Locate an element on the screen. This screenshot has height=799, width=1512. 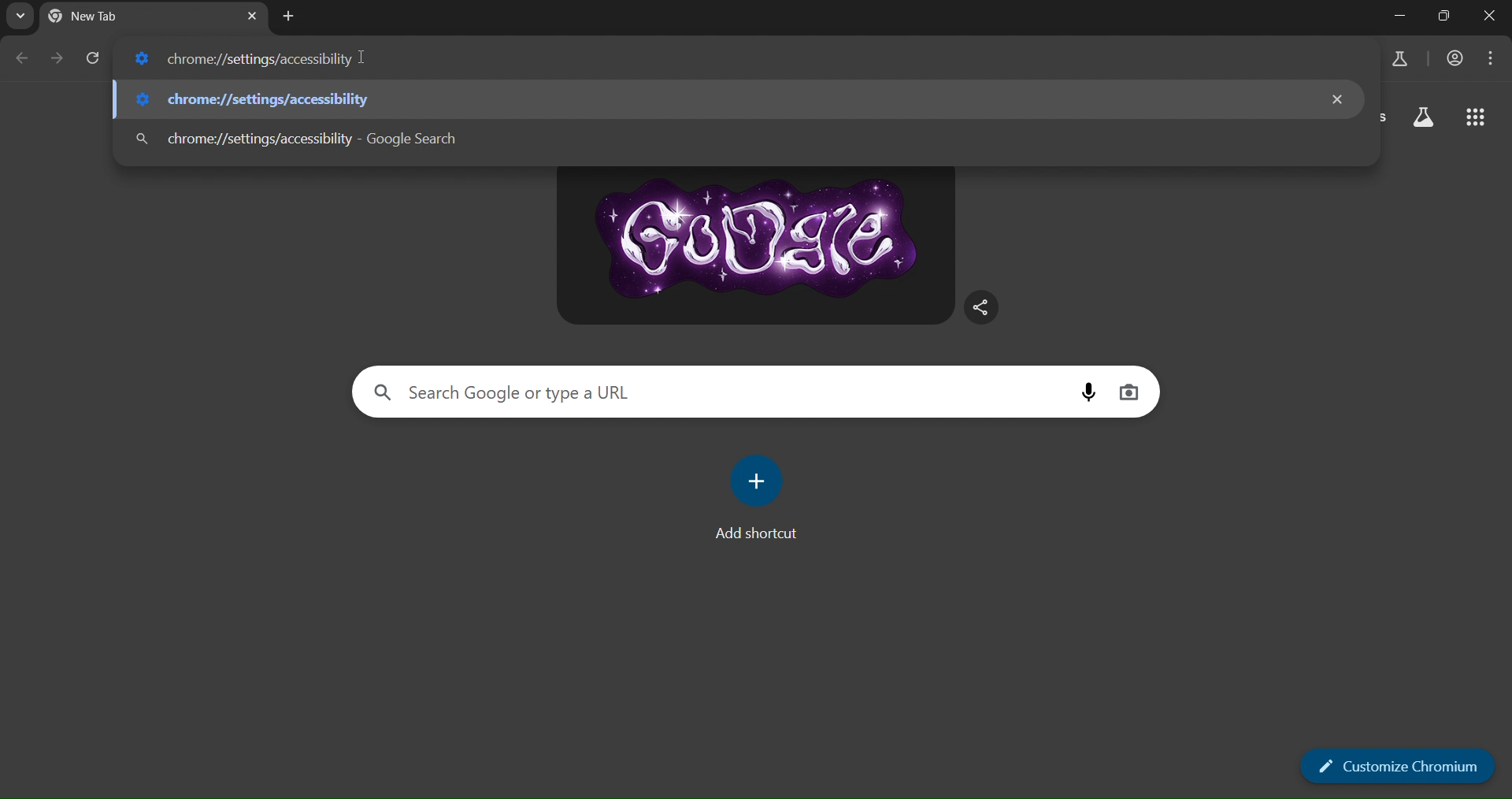
close tab is located at coordinates (252, 16).